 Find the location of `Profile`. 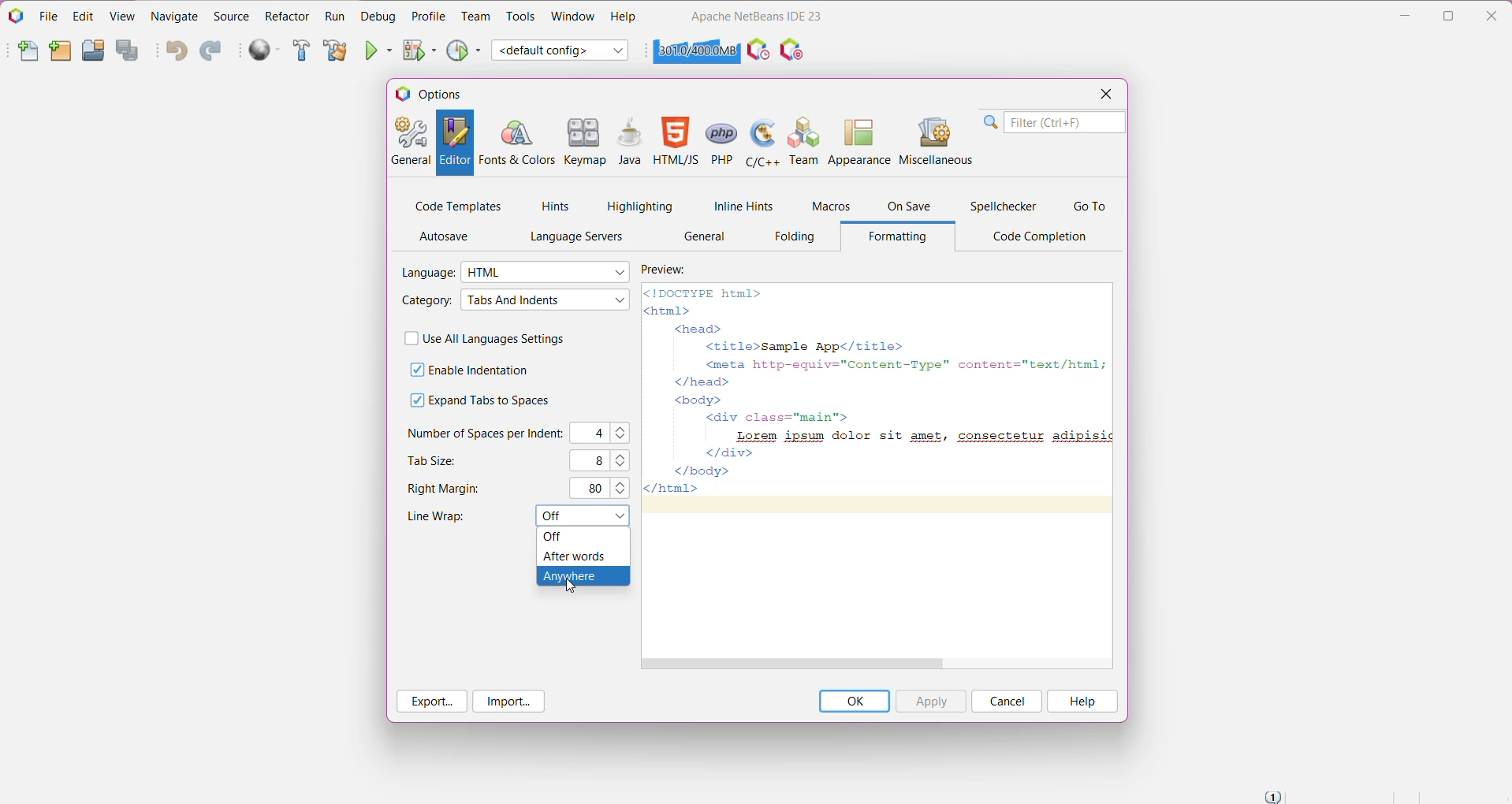

Profile is located at coordinates (429, 16).